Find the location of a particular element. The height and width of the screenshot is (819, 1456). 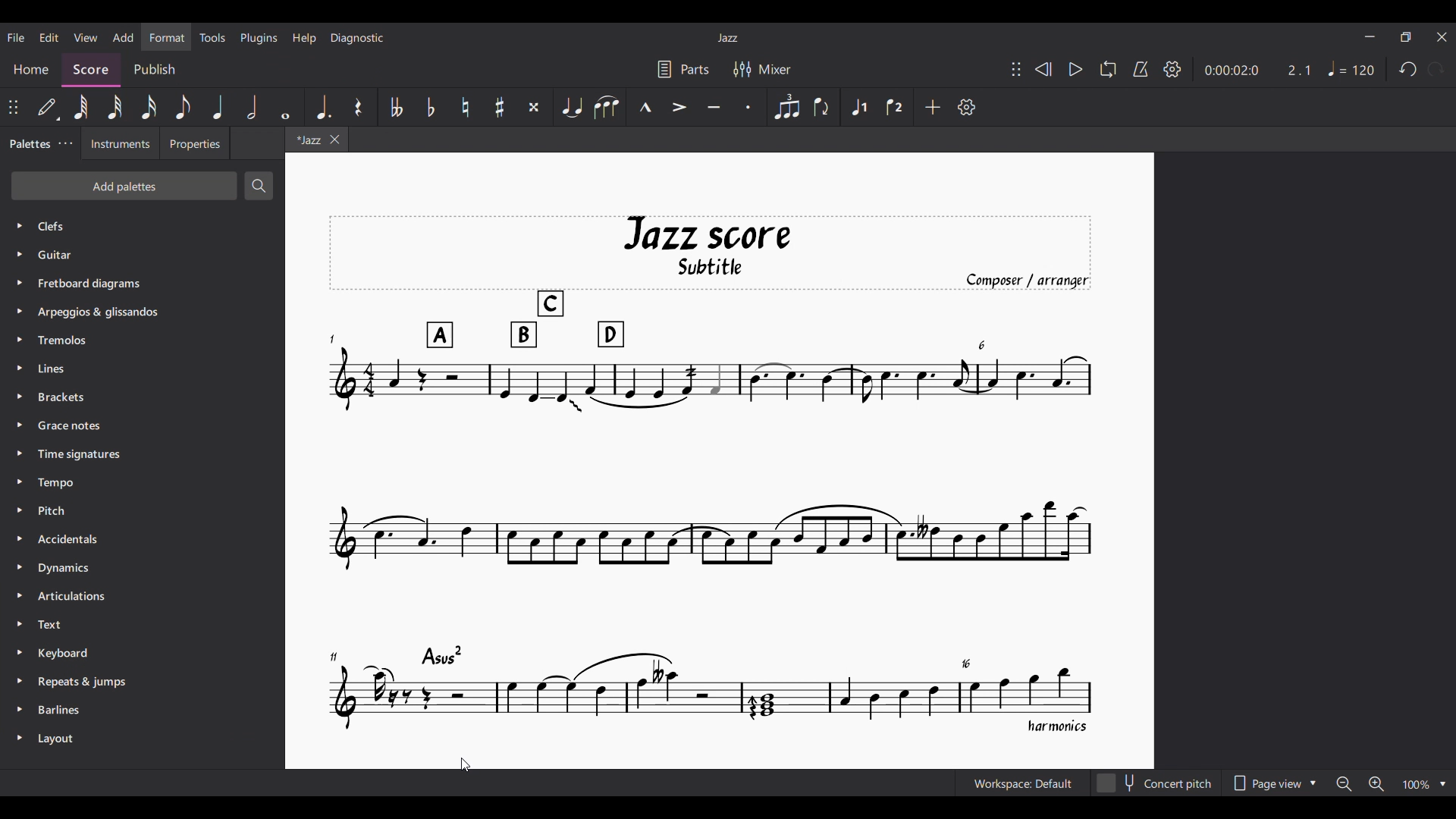

Add menu is located at coordinates (123, 37).